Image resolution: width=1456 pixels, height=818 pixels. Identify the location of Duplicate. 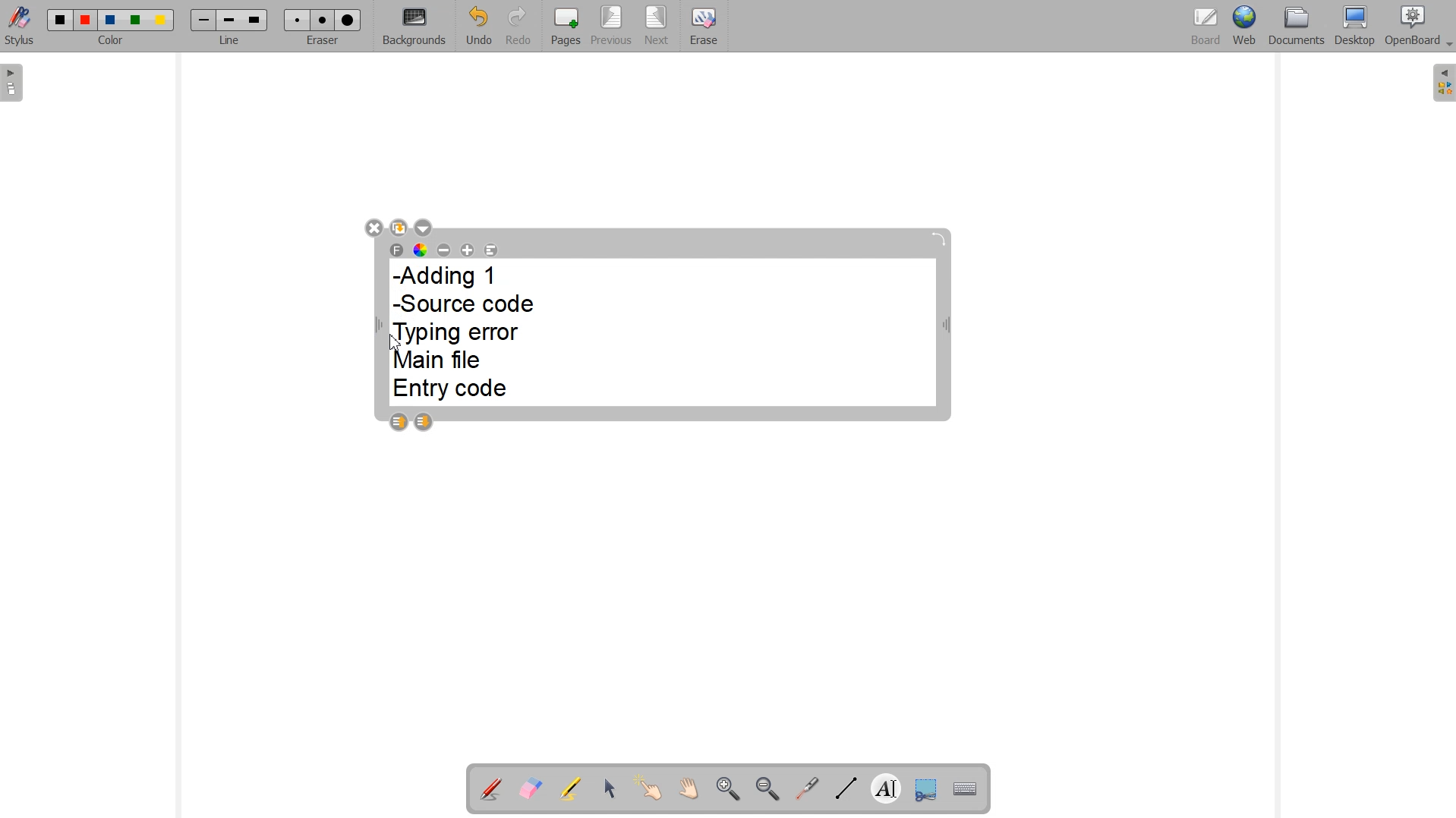
(399, 227).